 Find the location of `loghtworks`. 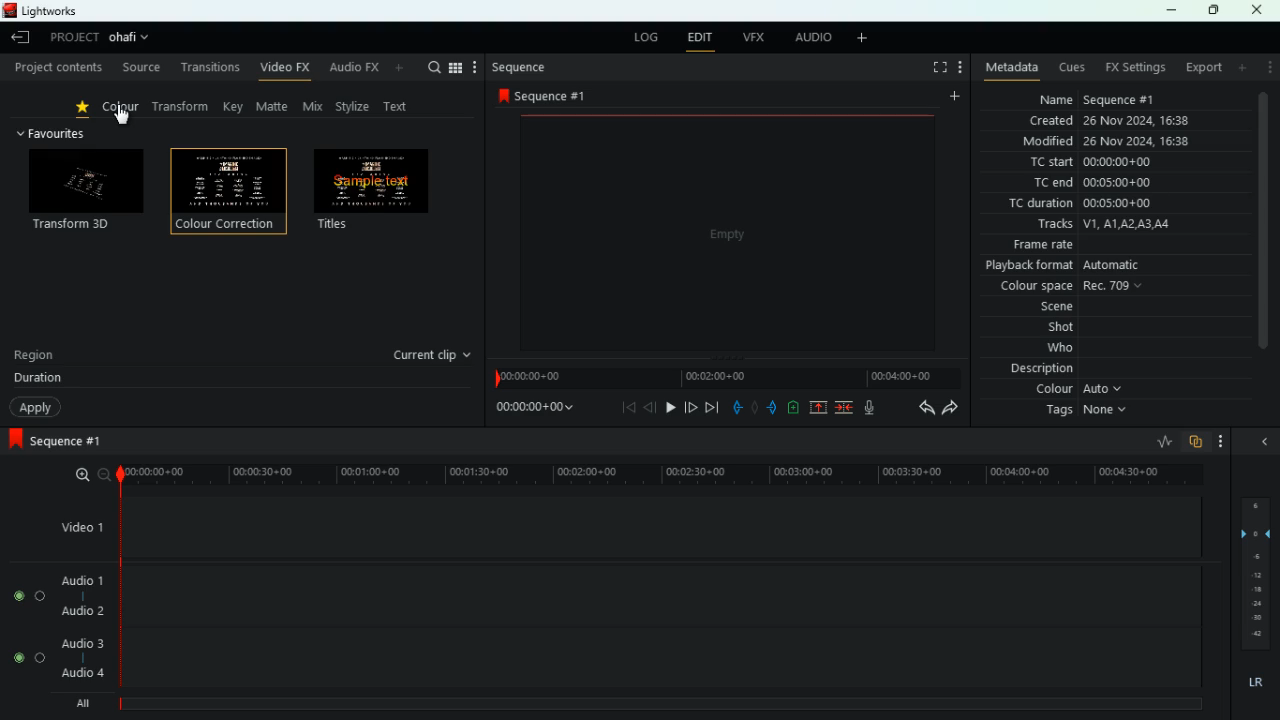

loghtworks is located at coordinates (55, 10).